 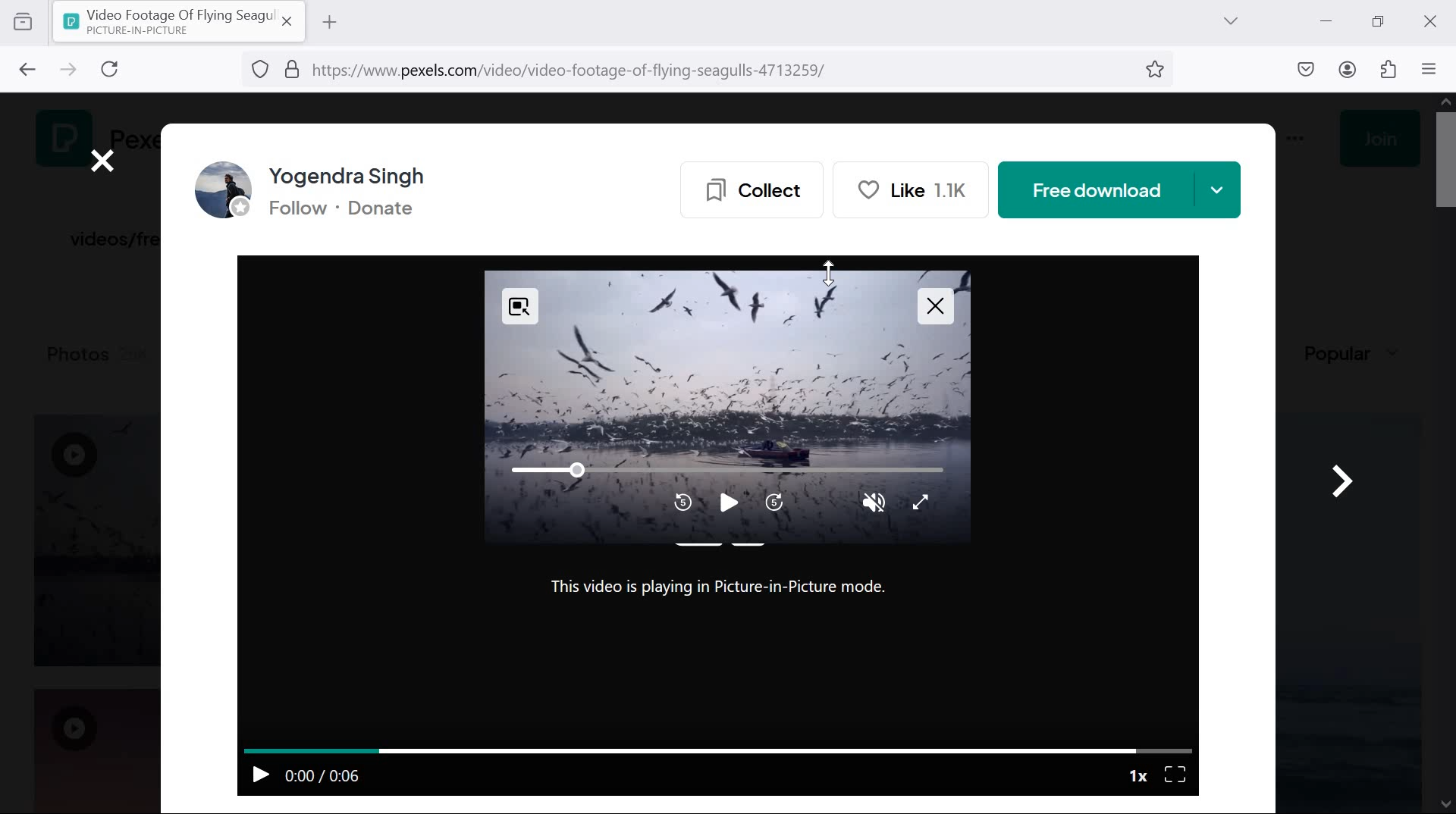 What do you see at coordinates (724, 409) in the screenshot?
I see `video playing in picture-in-picture mode` at bounding box center [724, 409].